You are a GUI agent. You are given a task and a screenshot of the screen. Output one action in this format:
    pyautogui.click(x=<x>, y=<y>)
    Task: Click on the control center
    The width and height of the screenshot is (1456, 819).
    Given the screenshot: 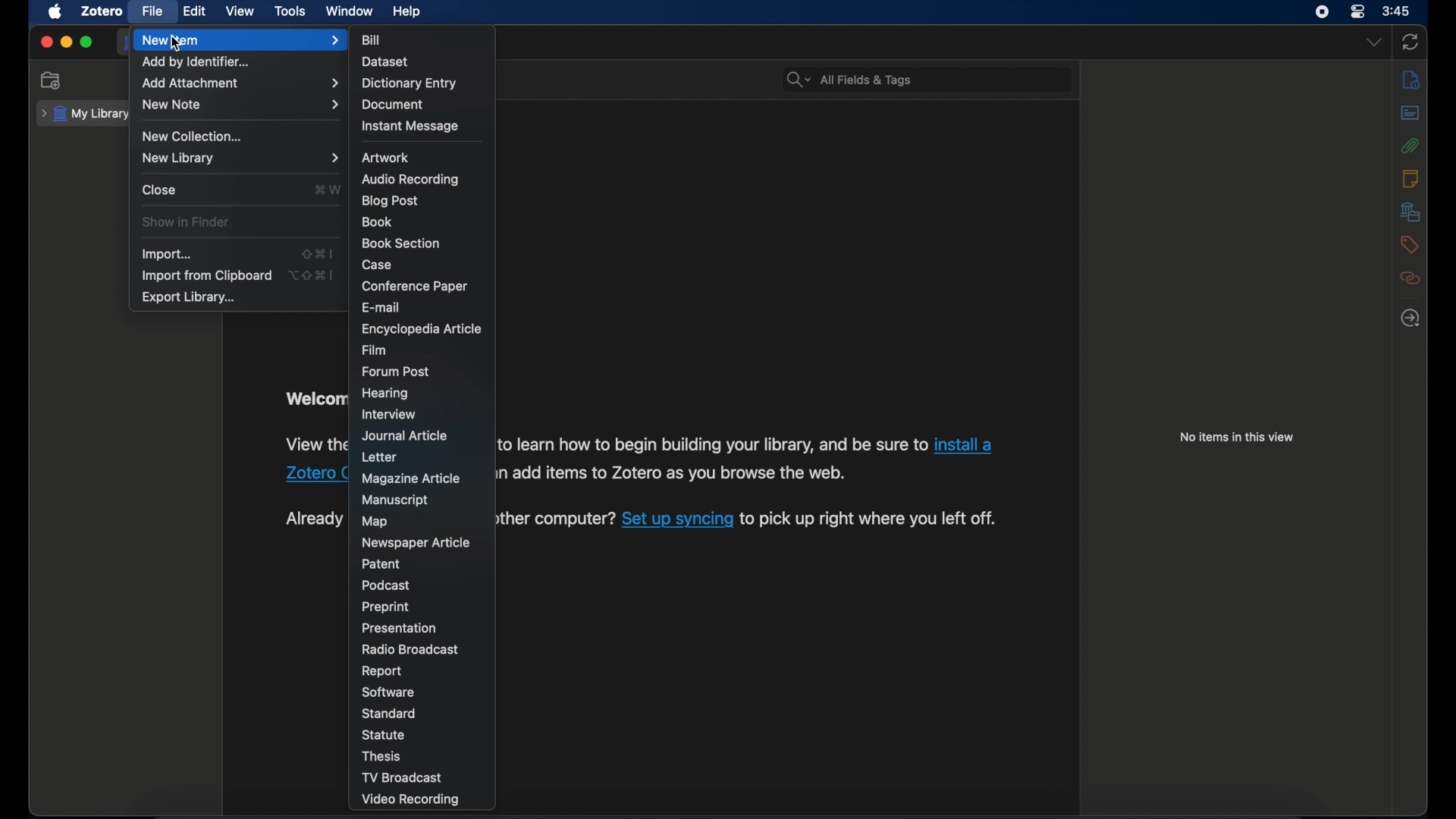 What is the action you would take?
    pyautogui.click(x=1357, y=12)
    